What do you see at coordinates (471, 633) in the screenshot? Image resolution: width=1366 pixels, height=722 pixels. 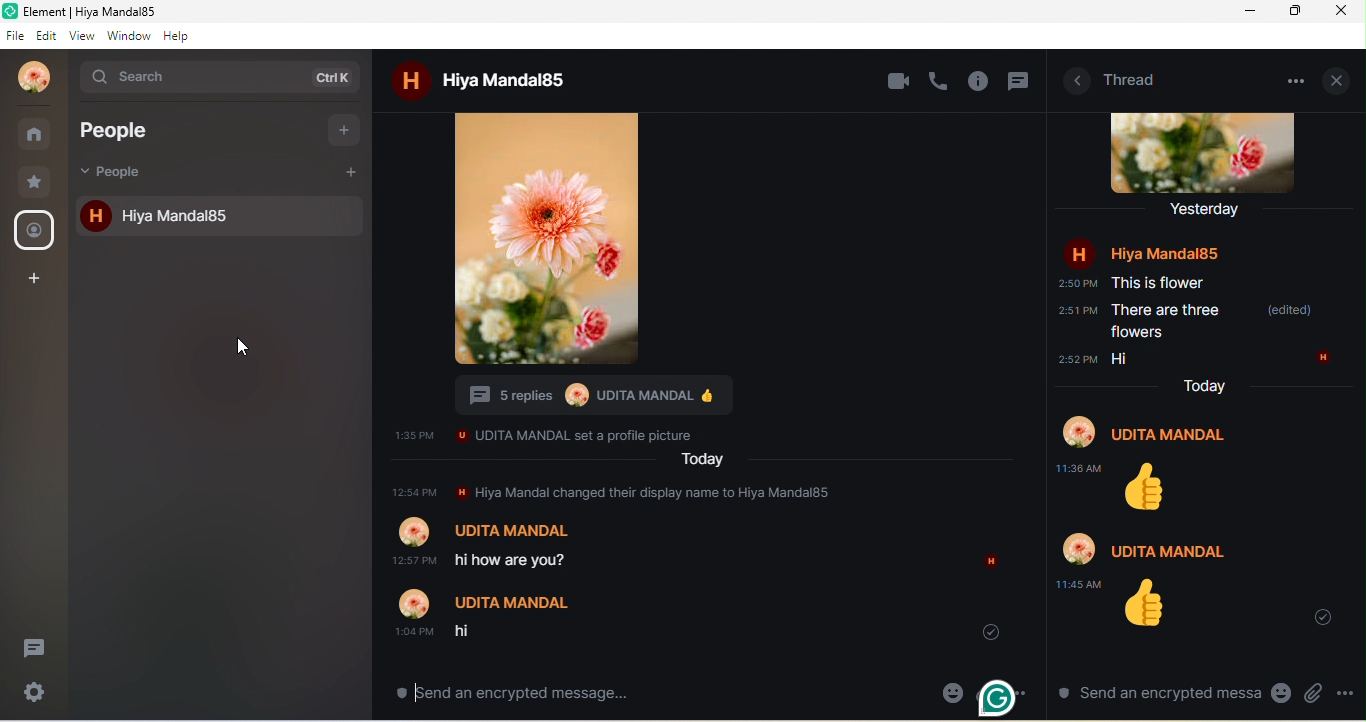 I see `hi ` at bounding box center [471, 633].